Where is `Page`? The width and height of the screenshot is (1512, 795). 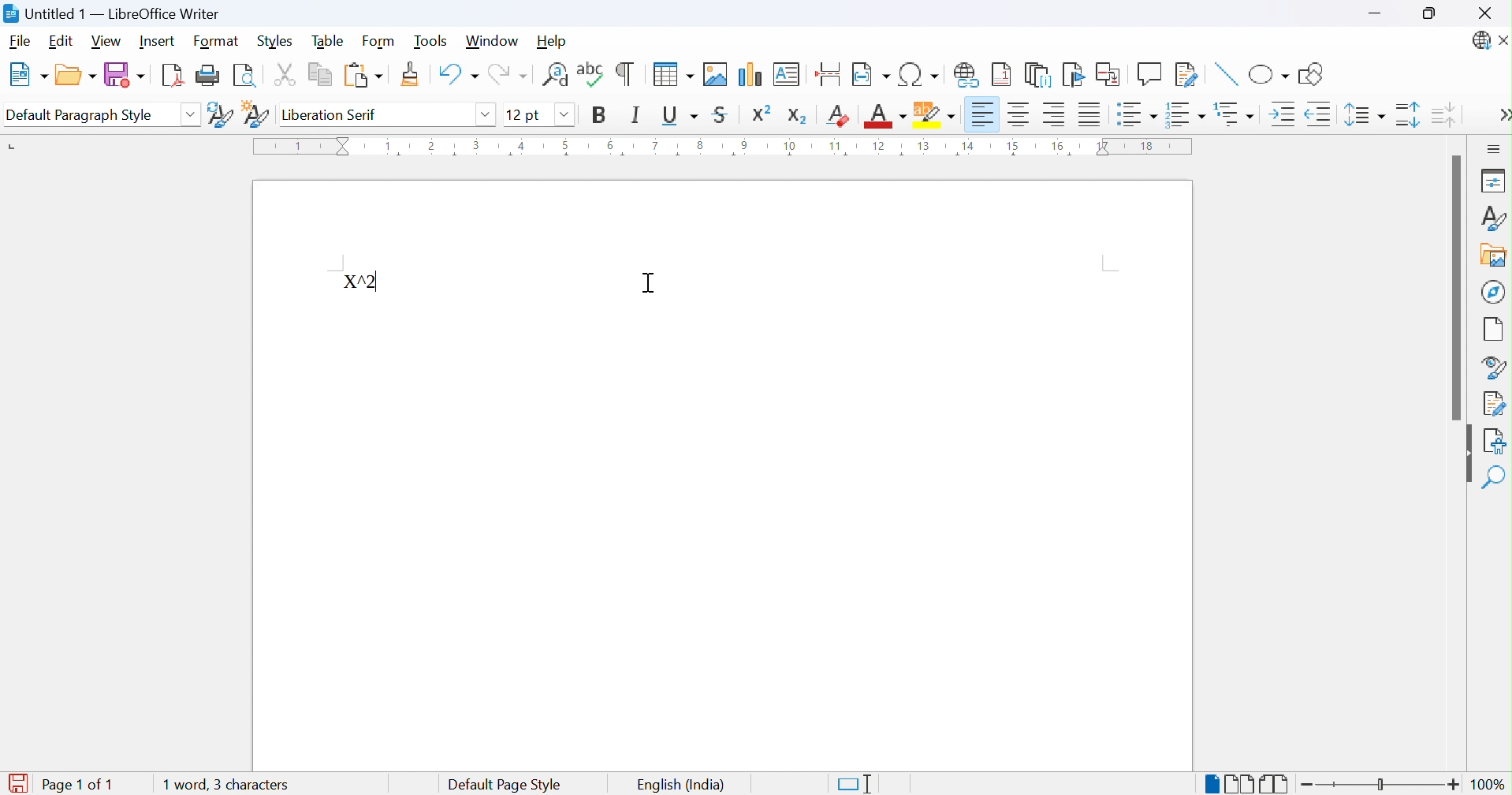 Page is located at coordinates (1493, 330).